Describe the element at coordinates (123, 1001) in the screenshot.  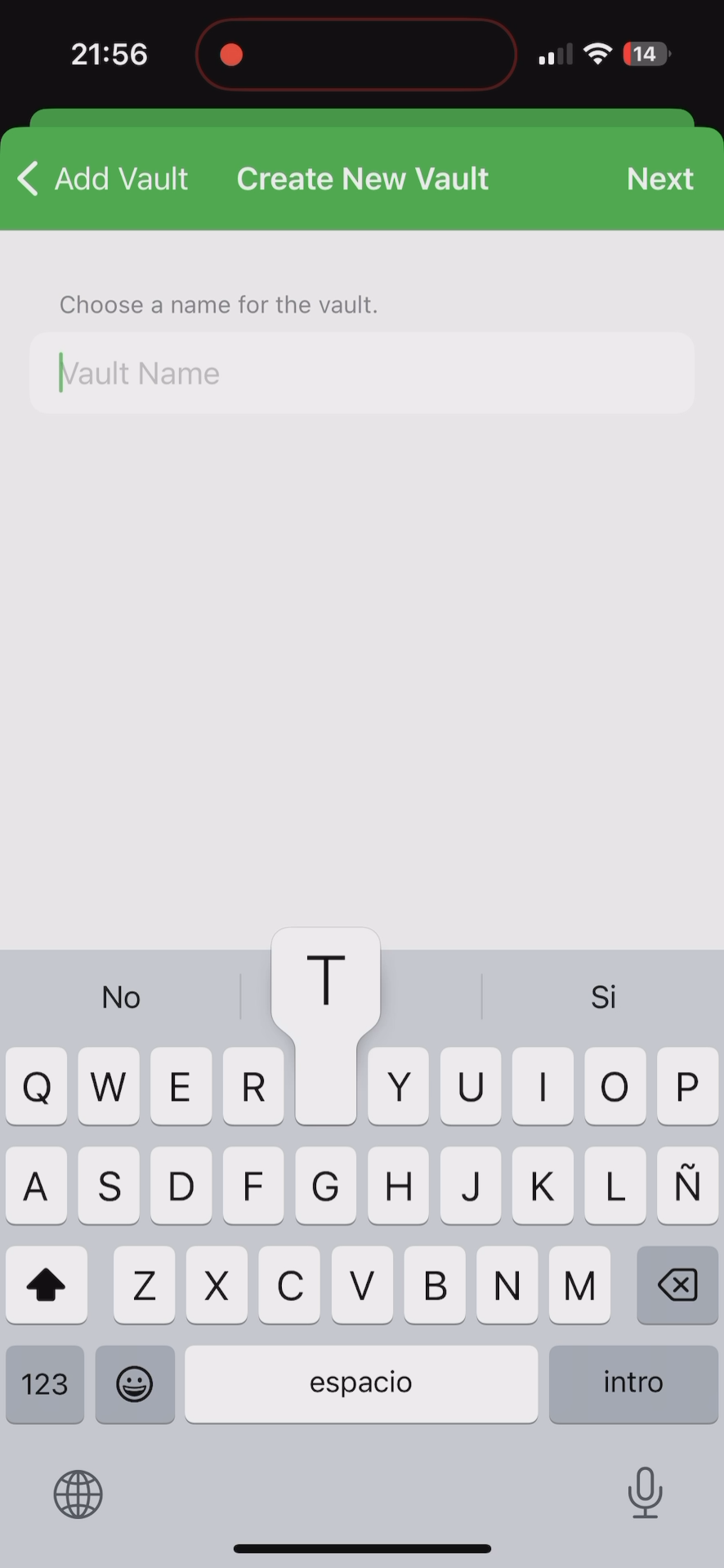
I see `no` at that location.